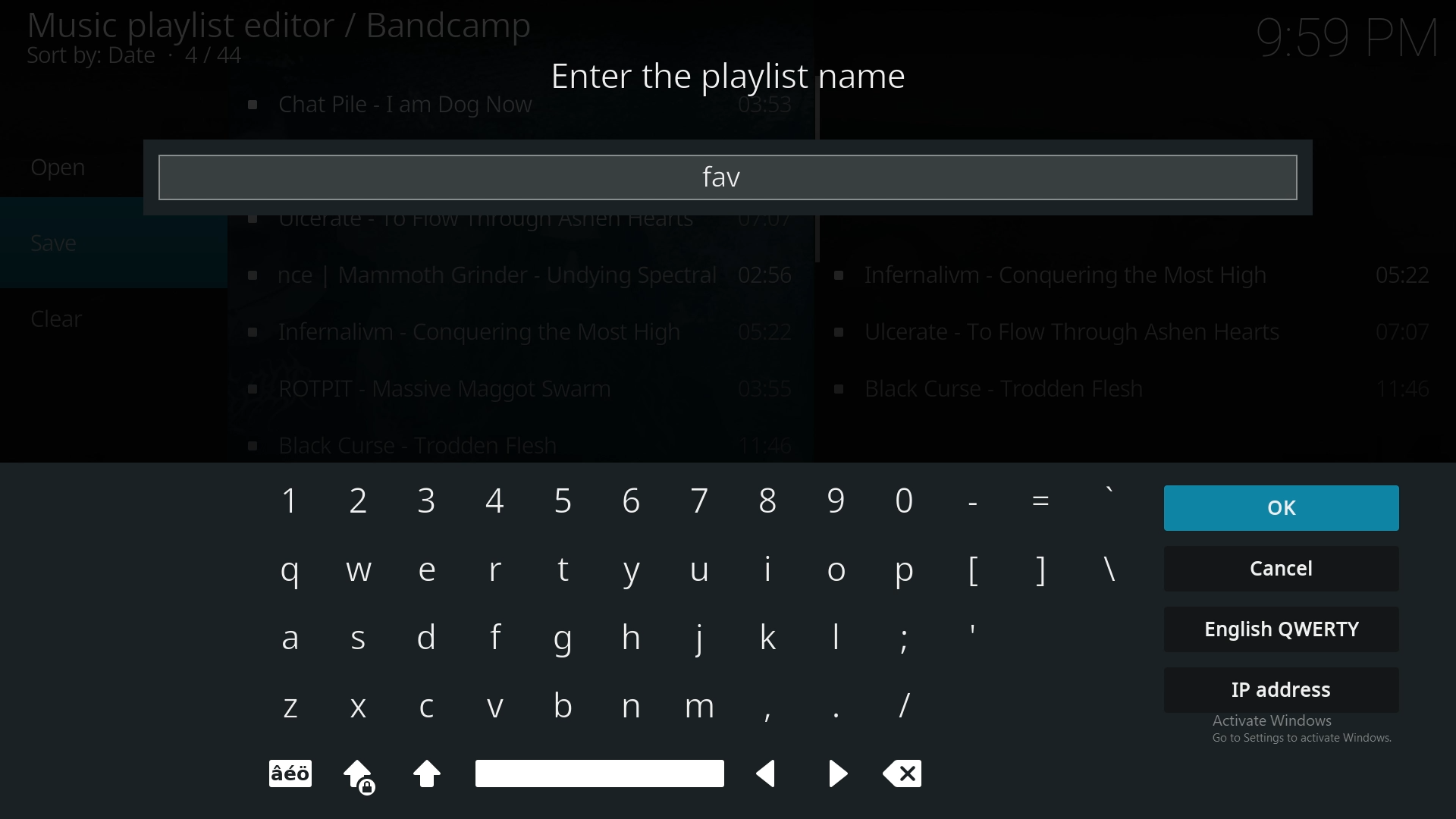 This screenshot has width=1456, height=819. I want to click on keyboard input, so click(835, 639).